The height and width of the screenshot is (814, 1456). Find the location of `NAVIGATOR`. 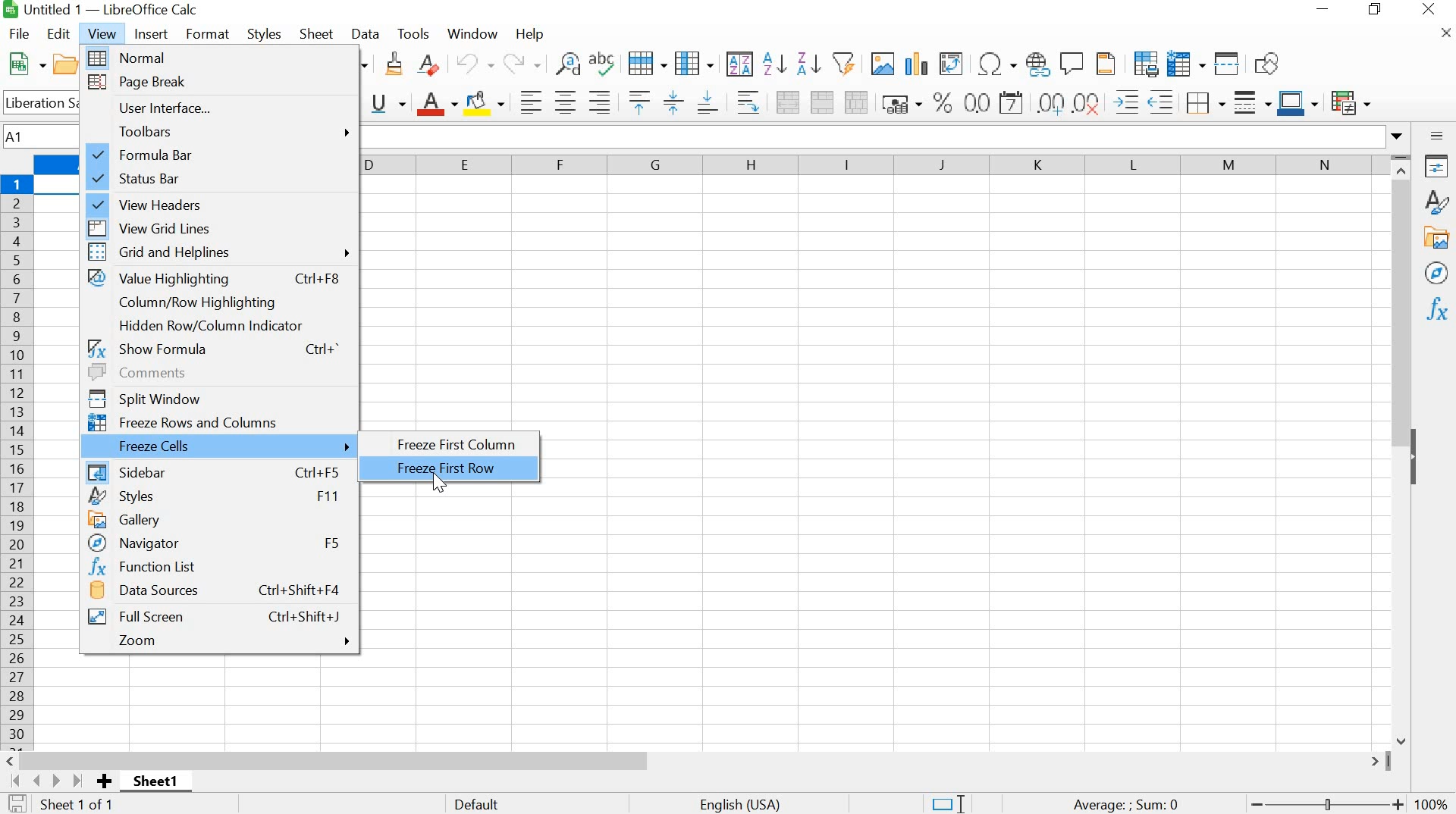

NAVIGATOR is located at coordinates (1436, 274).